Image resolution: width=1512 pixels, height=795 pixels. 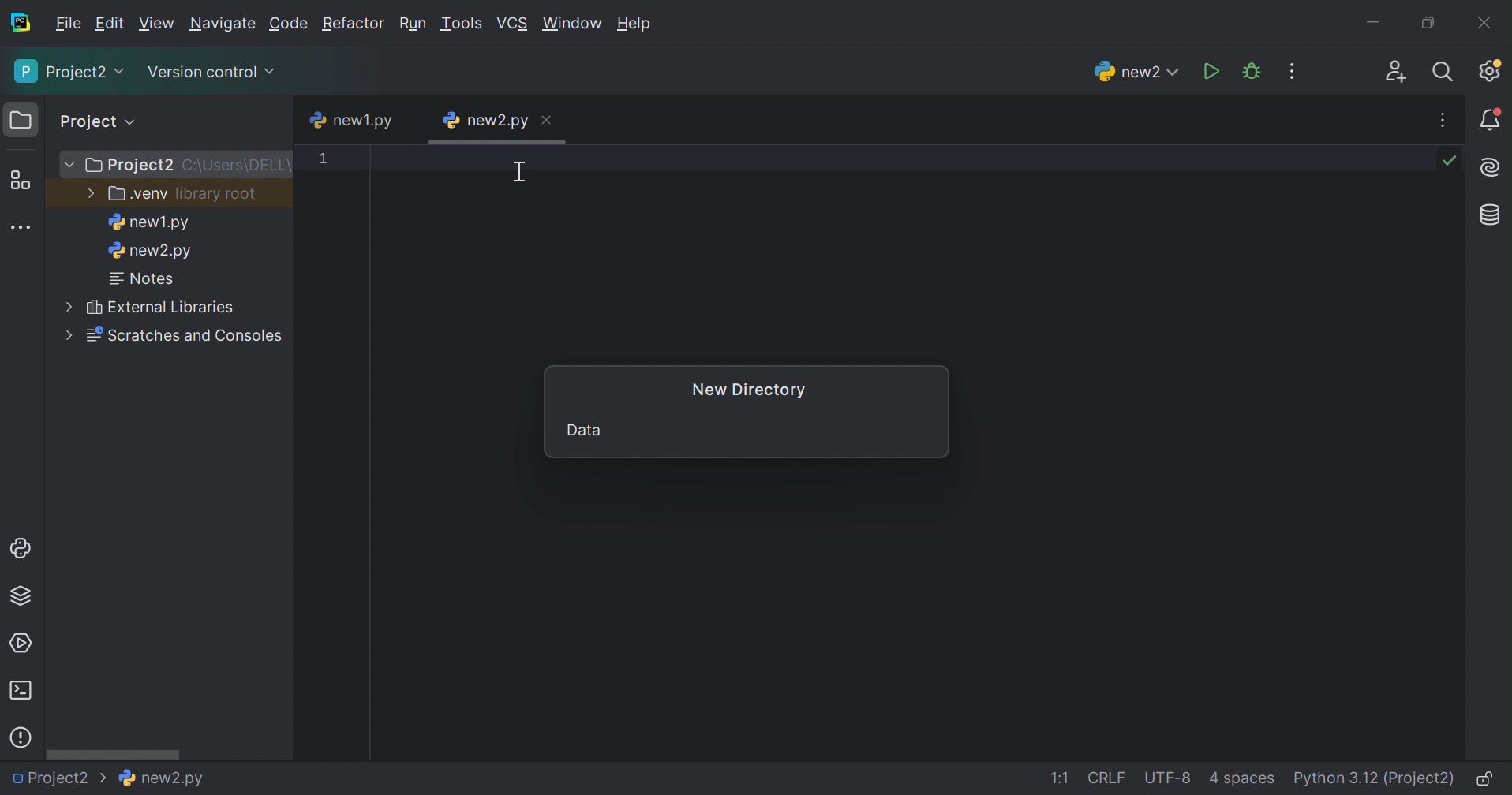 I want to click on Code with me, so click(x=1396, y=72).